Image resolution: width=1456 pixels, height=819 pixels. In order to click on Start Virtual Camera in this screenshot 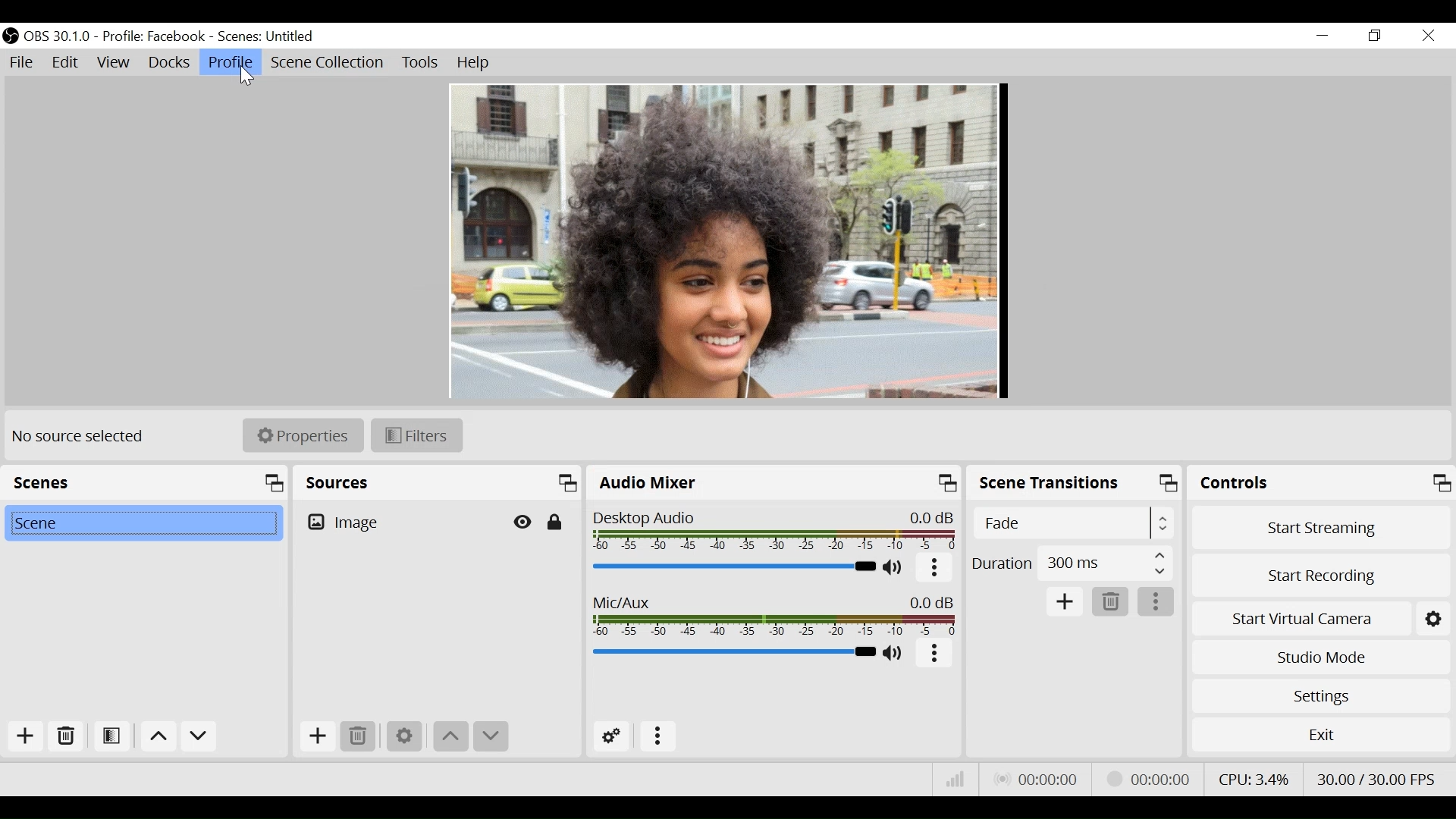, I will do `click(1319, 617)`.